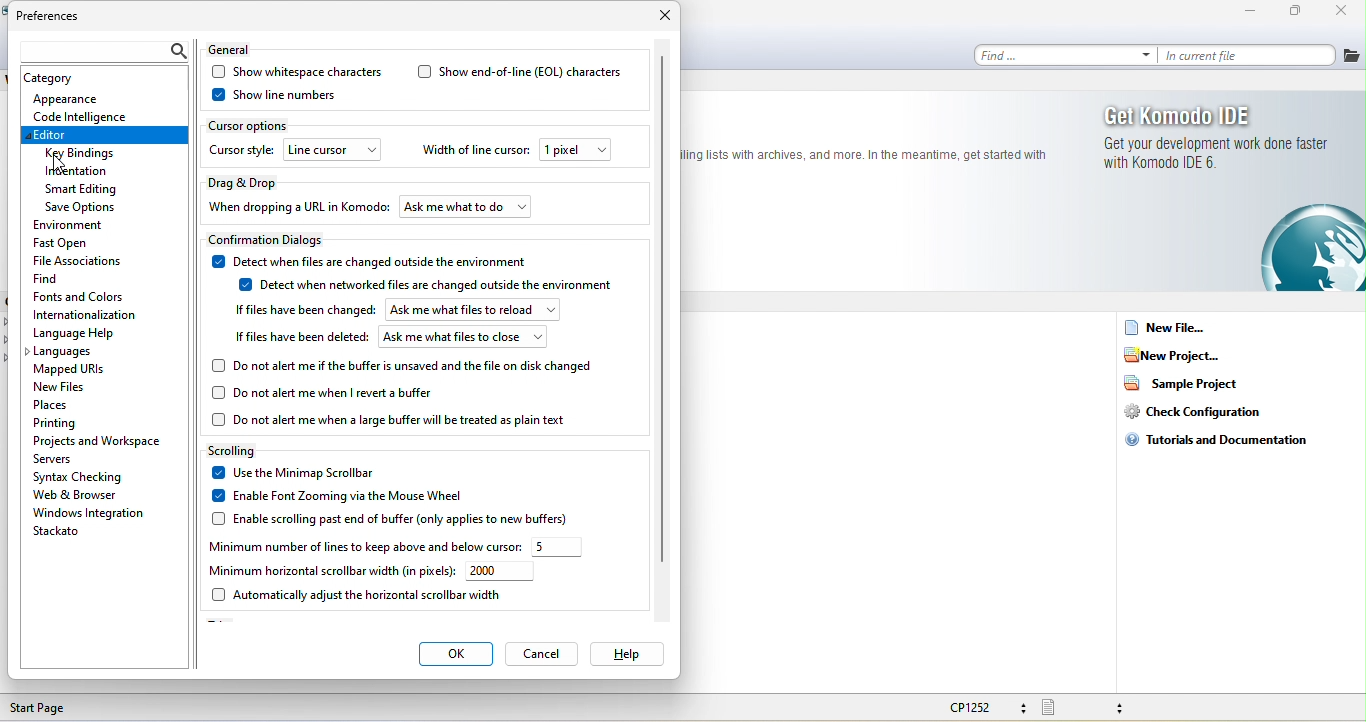  What do you see at coordinates (474, 152) in the screenshot?
I see `width of line cursor` at bounding box center [474, 152].